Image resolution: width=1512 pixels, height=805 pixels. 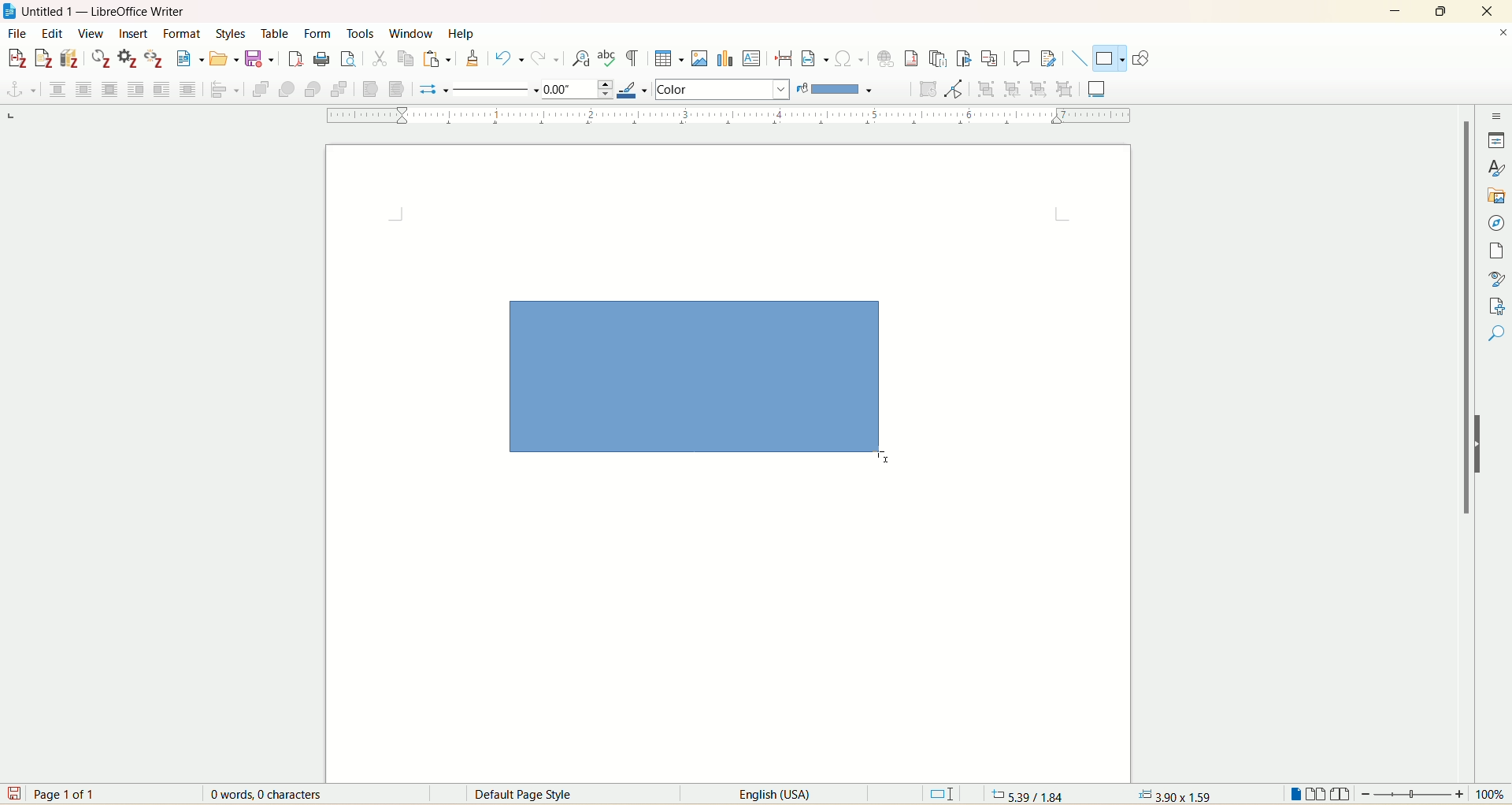 What do you see at coordinates (990, 57) in the screenshot?
I see `insert cross references` at bounding box center [990, 57].